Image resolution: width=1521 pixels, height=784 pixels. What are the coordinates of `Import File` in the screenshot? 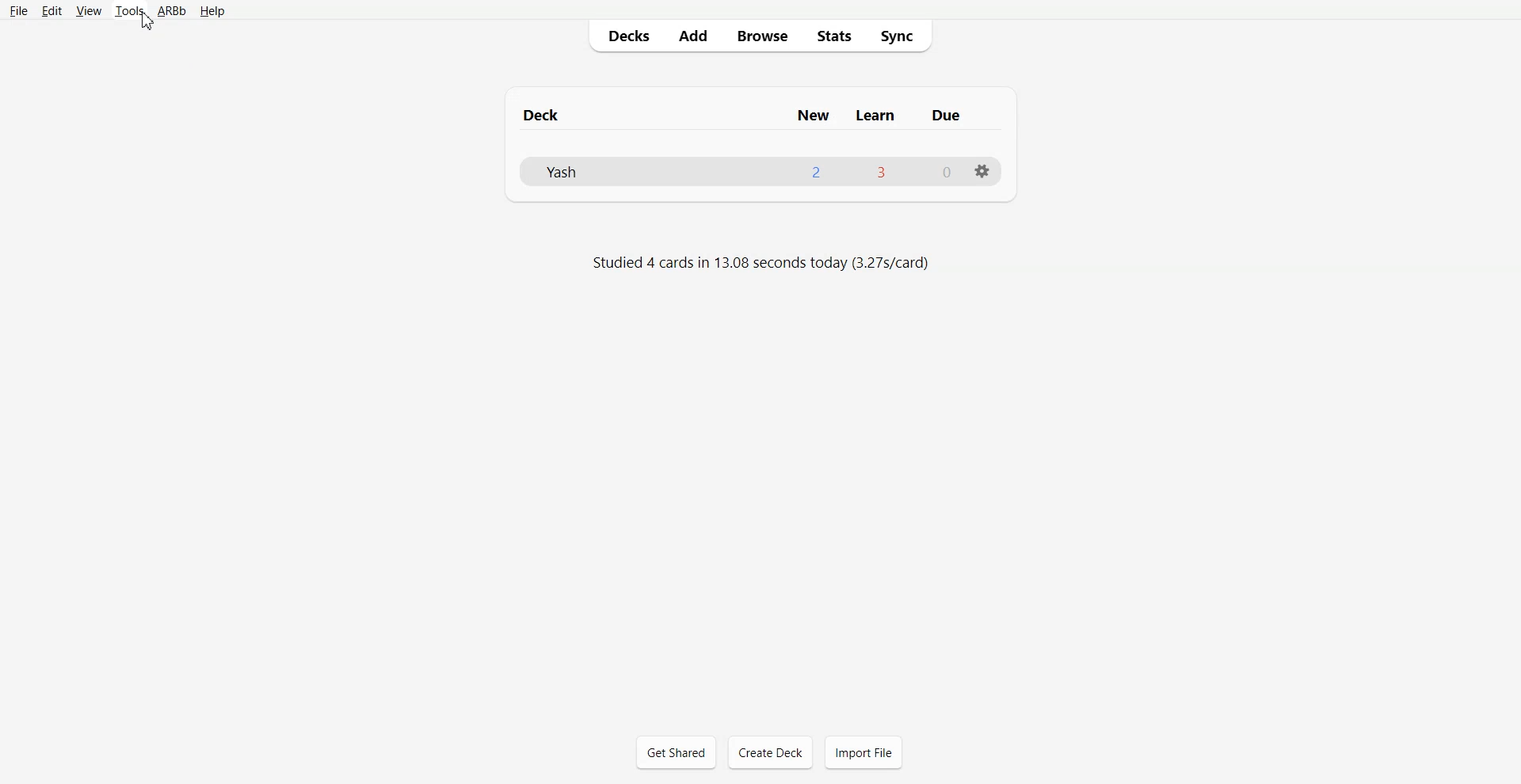 It's located at (863, 752).